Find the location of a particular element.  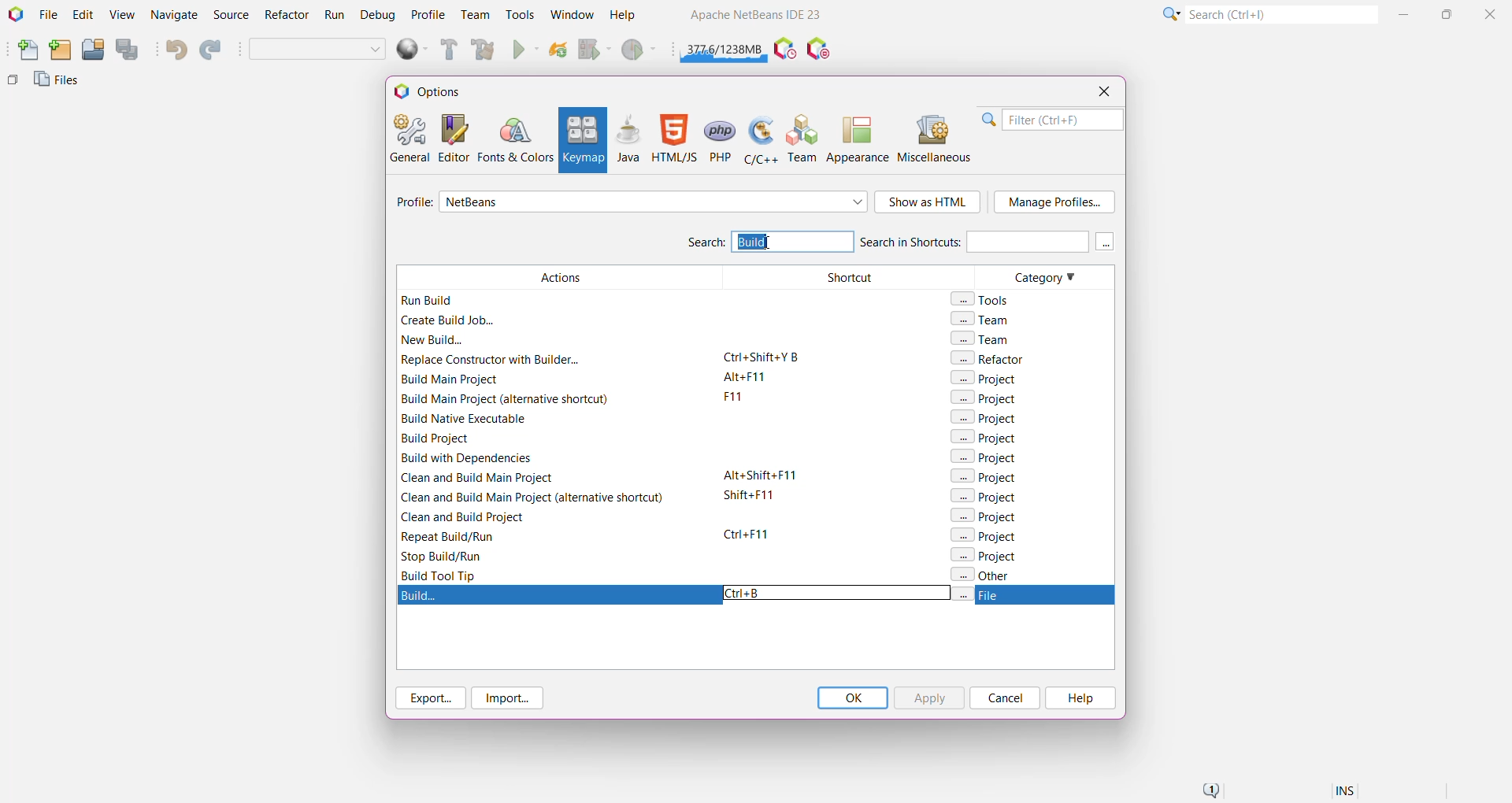

Application name and Version is located at coordinates (754, 17).